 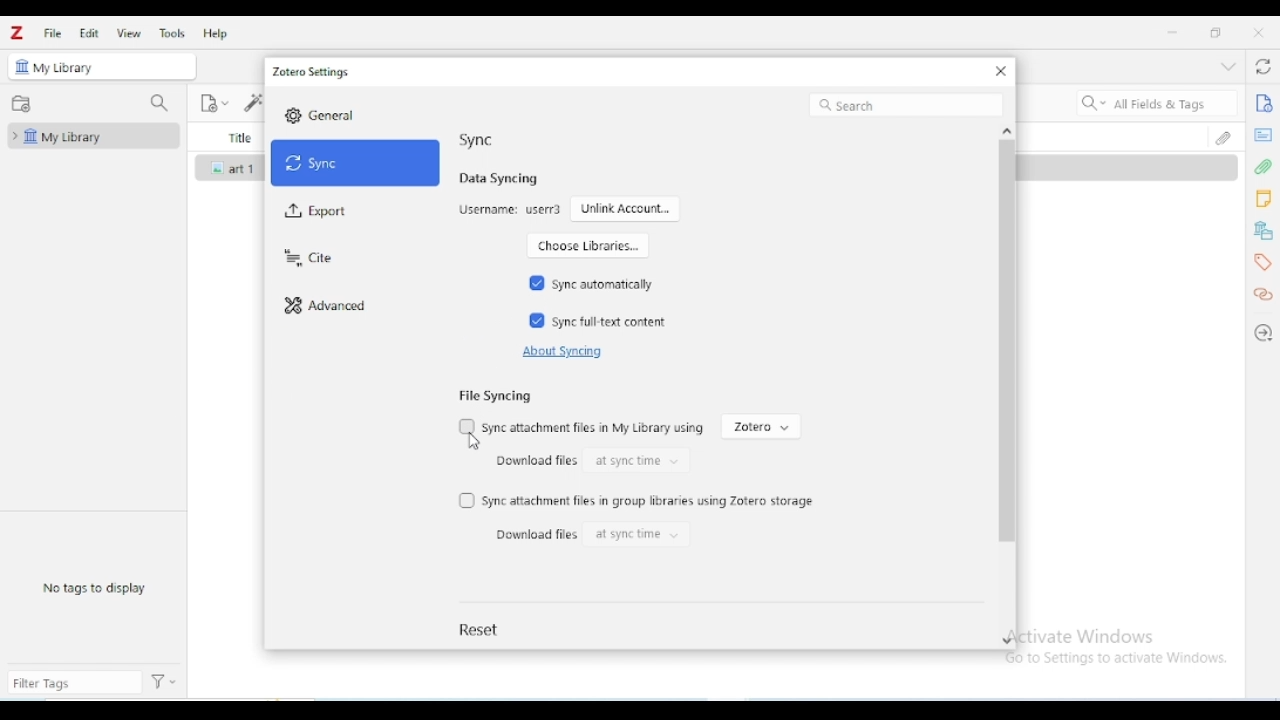 What do you see at coordinates (1264, 66) in the screenshot?
I see `sync with zotero.org` at bounding box center [1264, 66].